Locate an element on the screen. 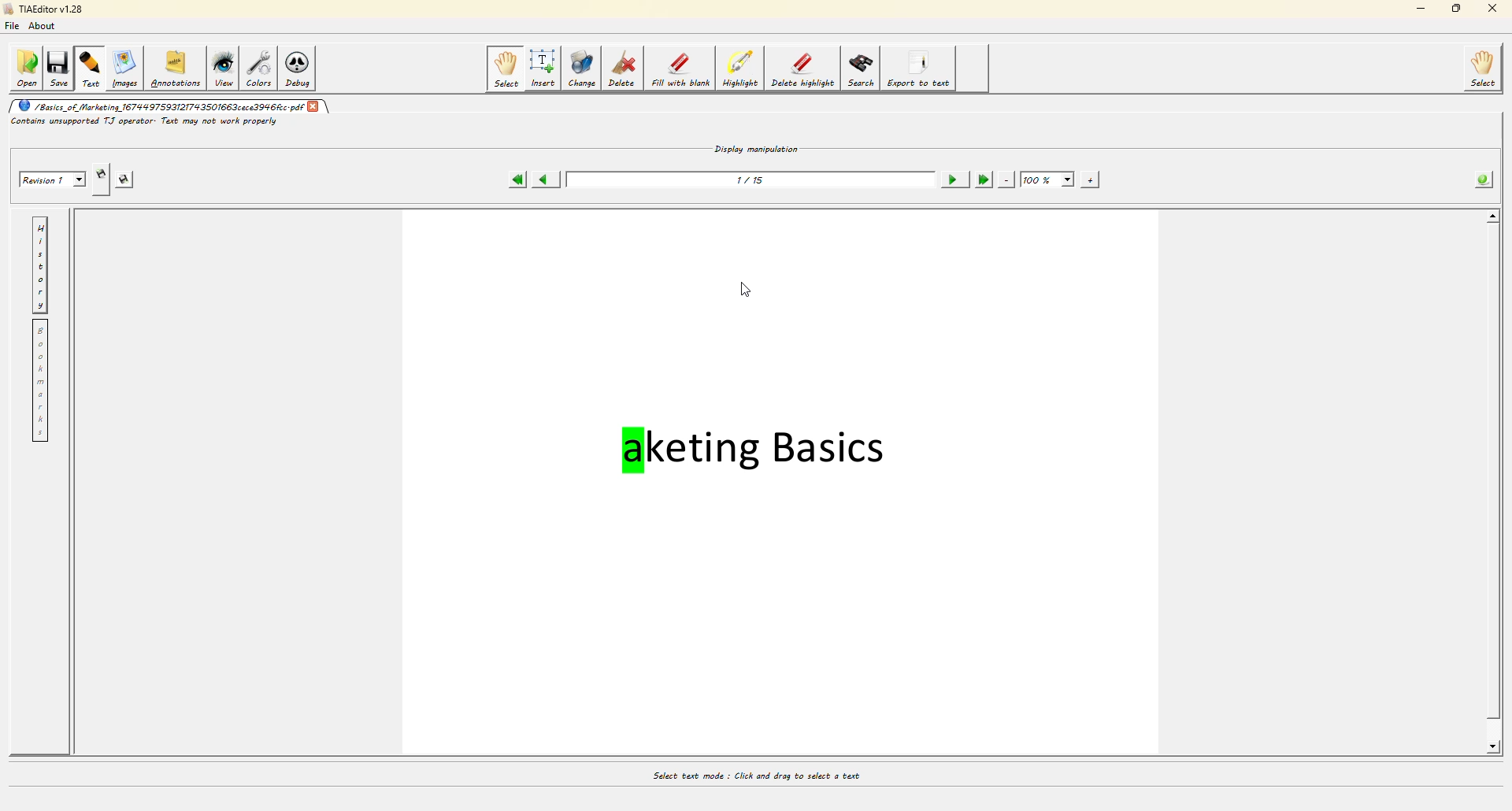 The width and height of the screenshot is (1512, 811). zoom in is located at coordinates (1088, 180).